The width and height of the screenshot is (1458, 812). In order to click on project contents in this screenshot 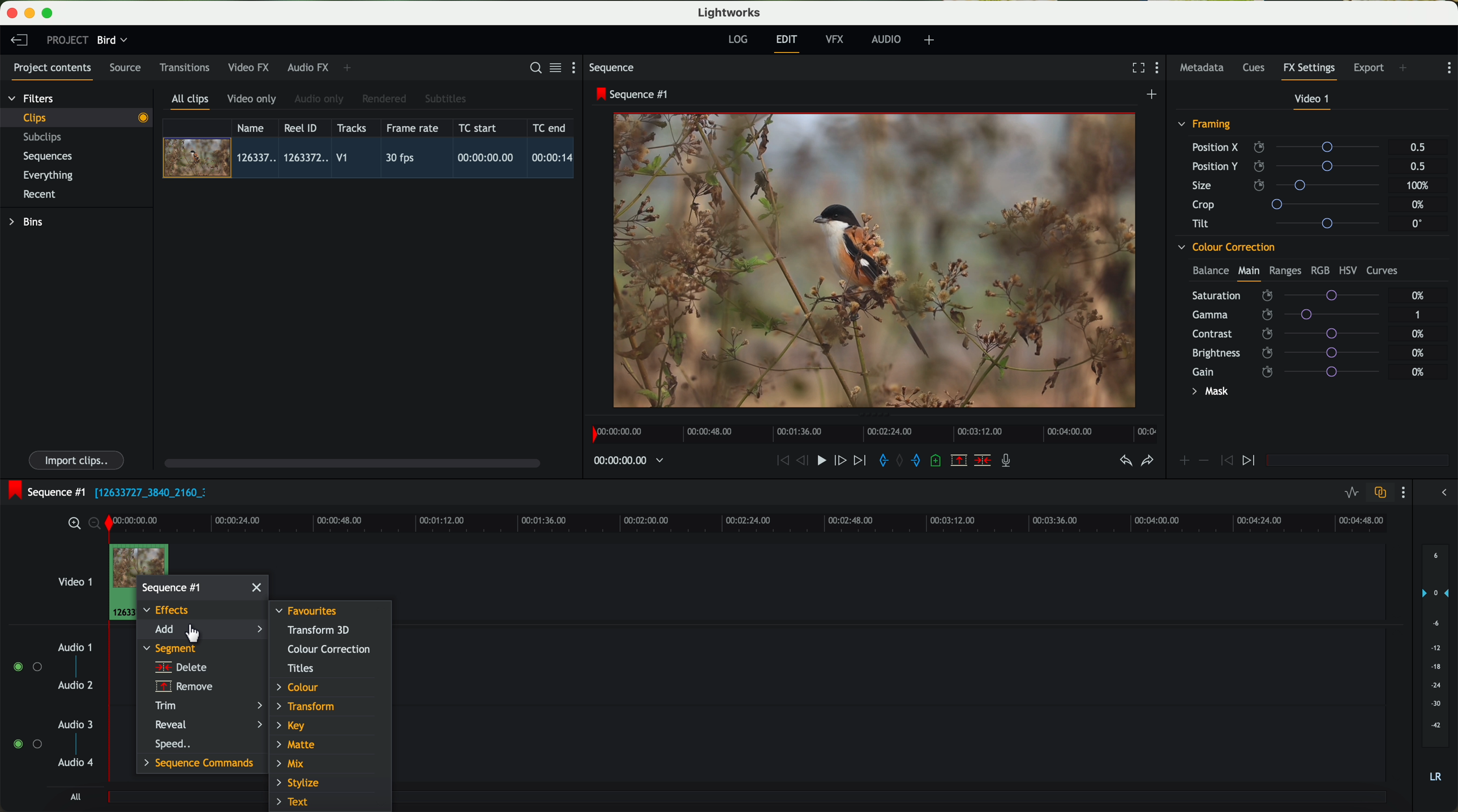, I will do `click(53, 71)`.